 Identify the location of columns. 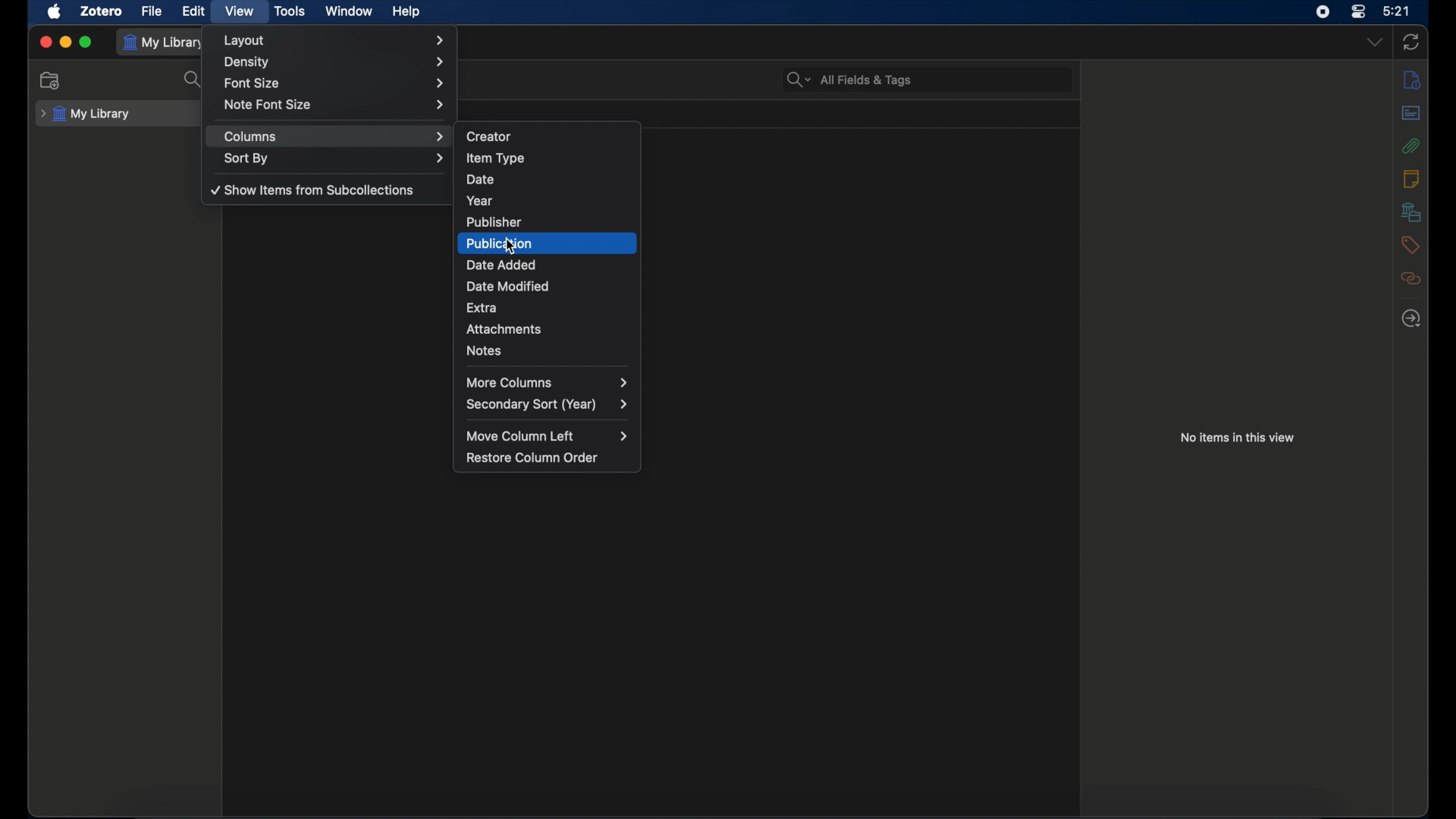
(336, 136).